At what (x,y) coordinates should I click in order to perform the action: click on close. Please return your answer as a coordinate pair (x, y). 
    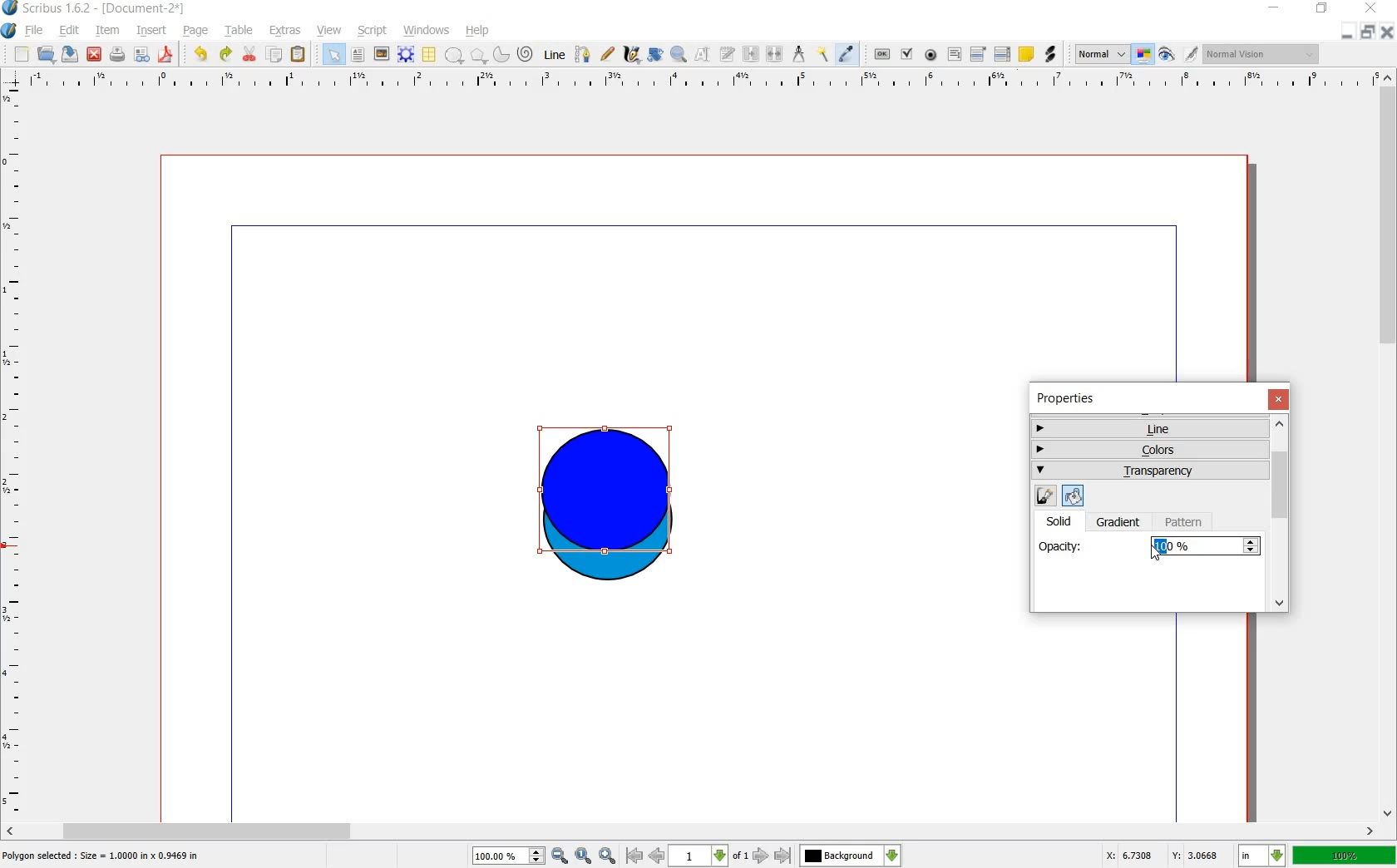
    Looking at the image, I should click on (95, 55).